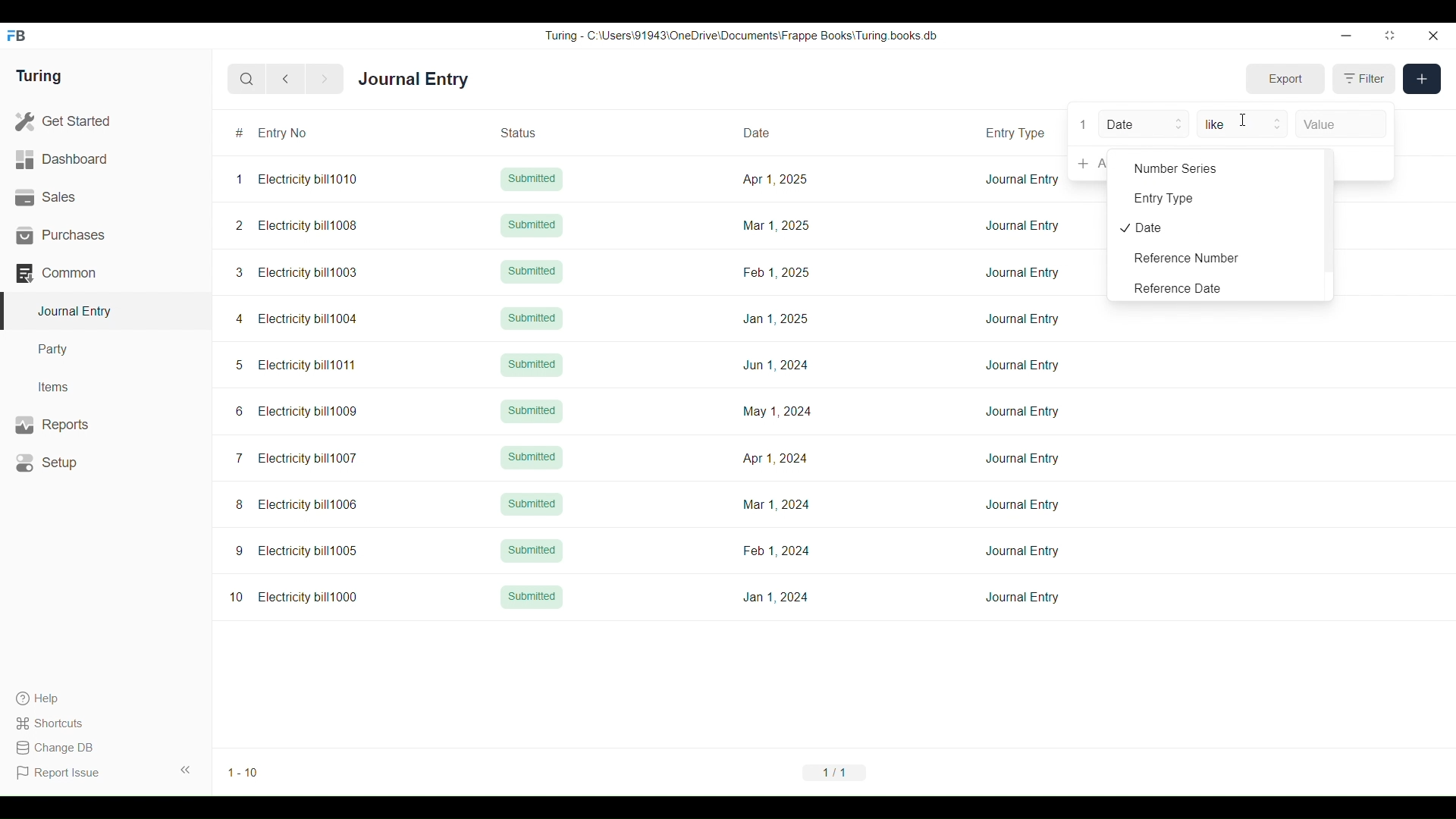 The height and width of the screenshot is (819, 1456). I want to click on 9 Electricity bill1005, so click(297, 551).